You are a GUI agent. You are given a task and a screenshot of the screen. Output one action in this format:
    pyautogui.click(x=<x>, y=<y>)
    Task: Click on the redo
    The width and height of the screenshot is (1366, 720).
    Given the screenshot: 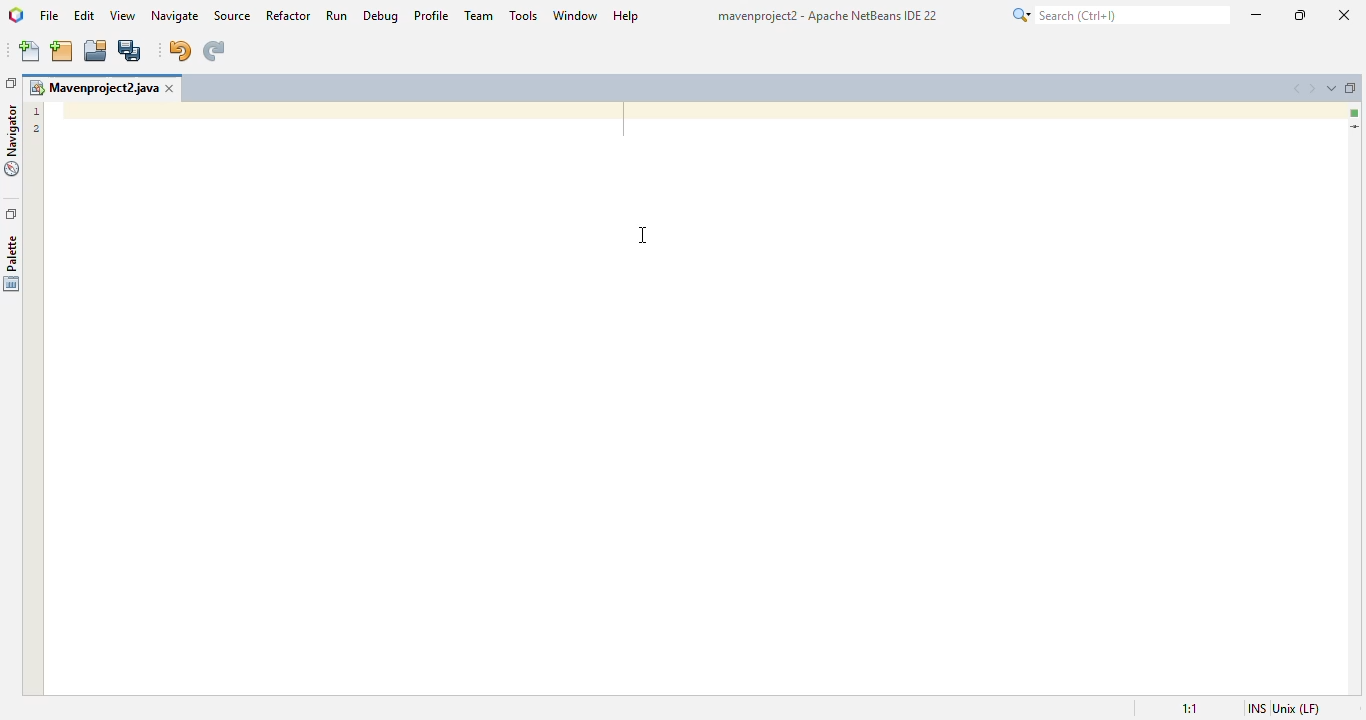 What is the action you would take?
    pyautogui.click(x=215, y=51)
    